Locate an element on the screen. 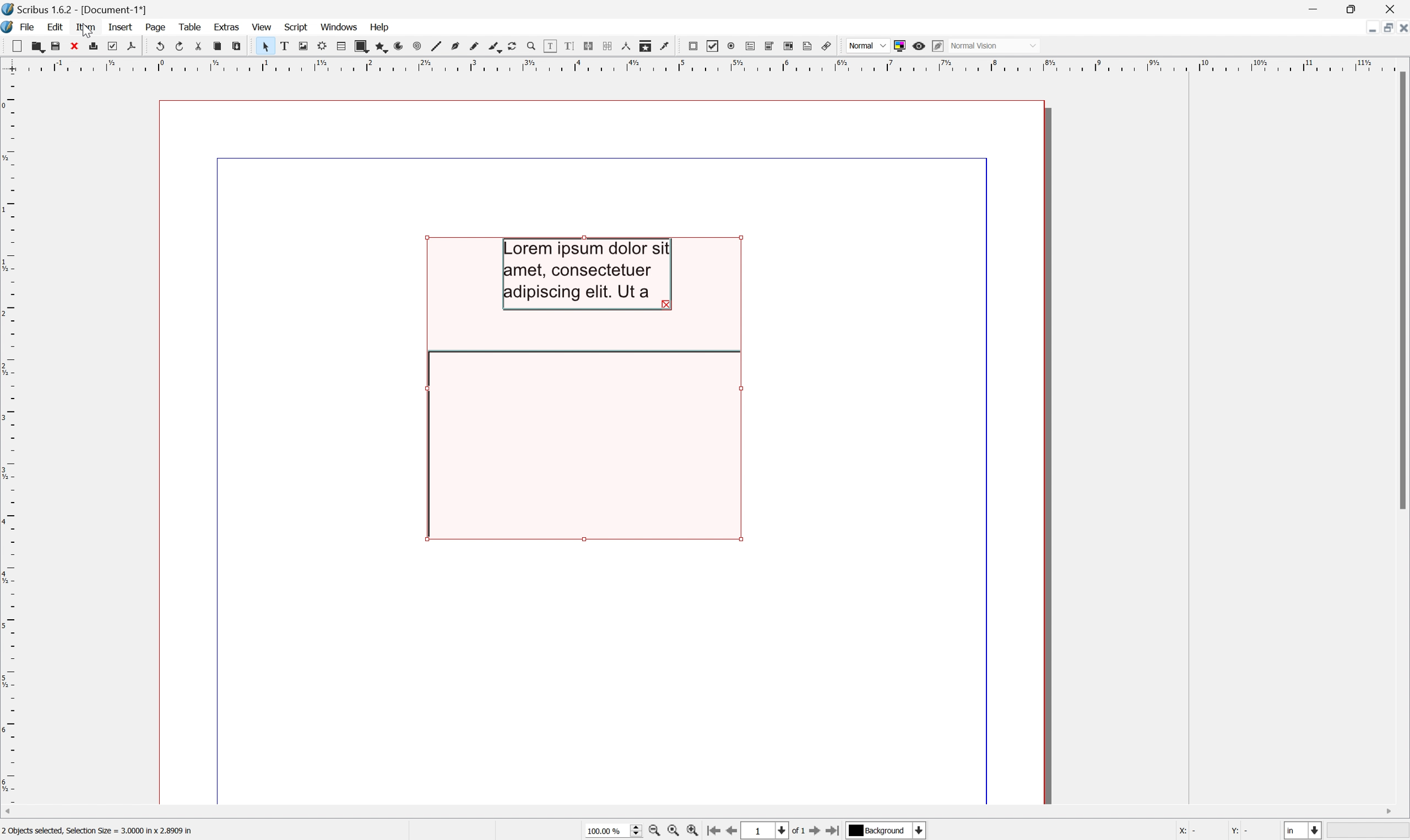 The image size is (1410, 840). Select the current page is located at coordinates (768, 830).